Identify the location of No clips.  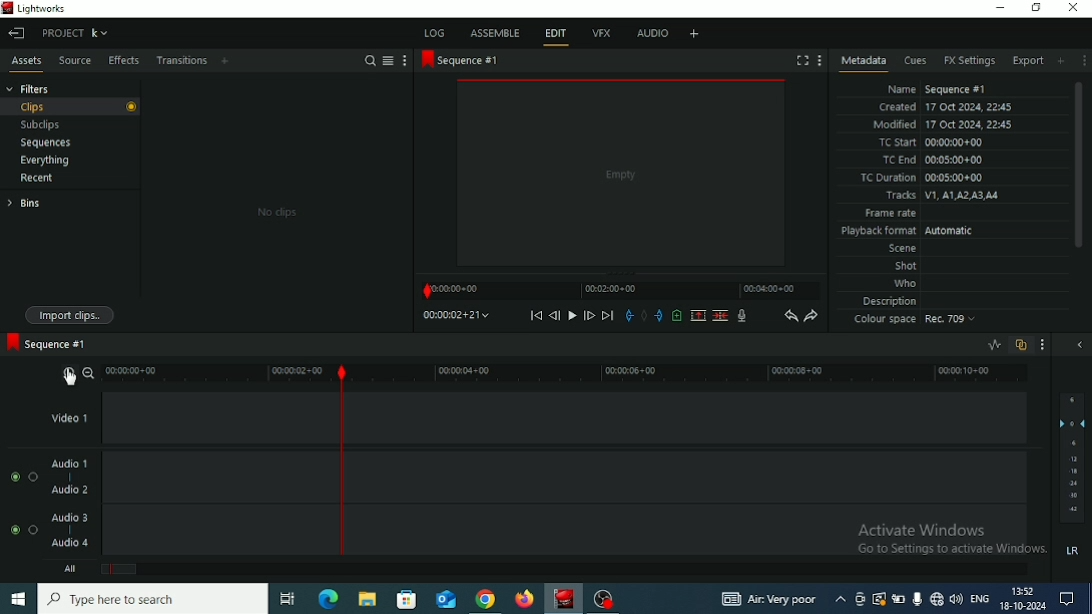
(278, 212).